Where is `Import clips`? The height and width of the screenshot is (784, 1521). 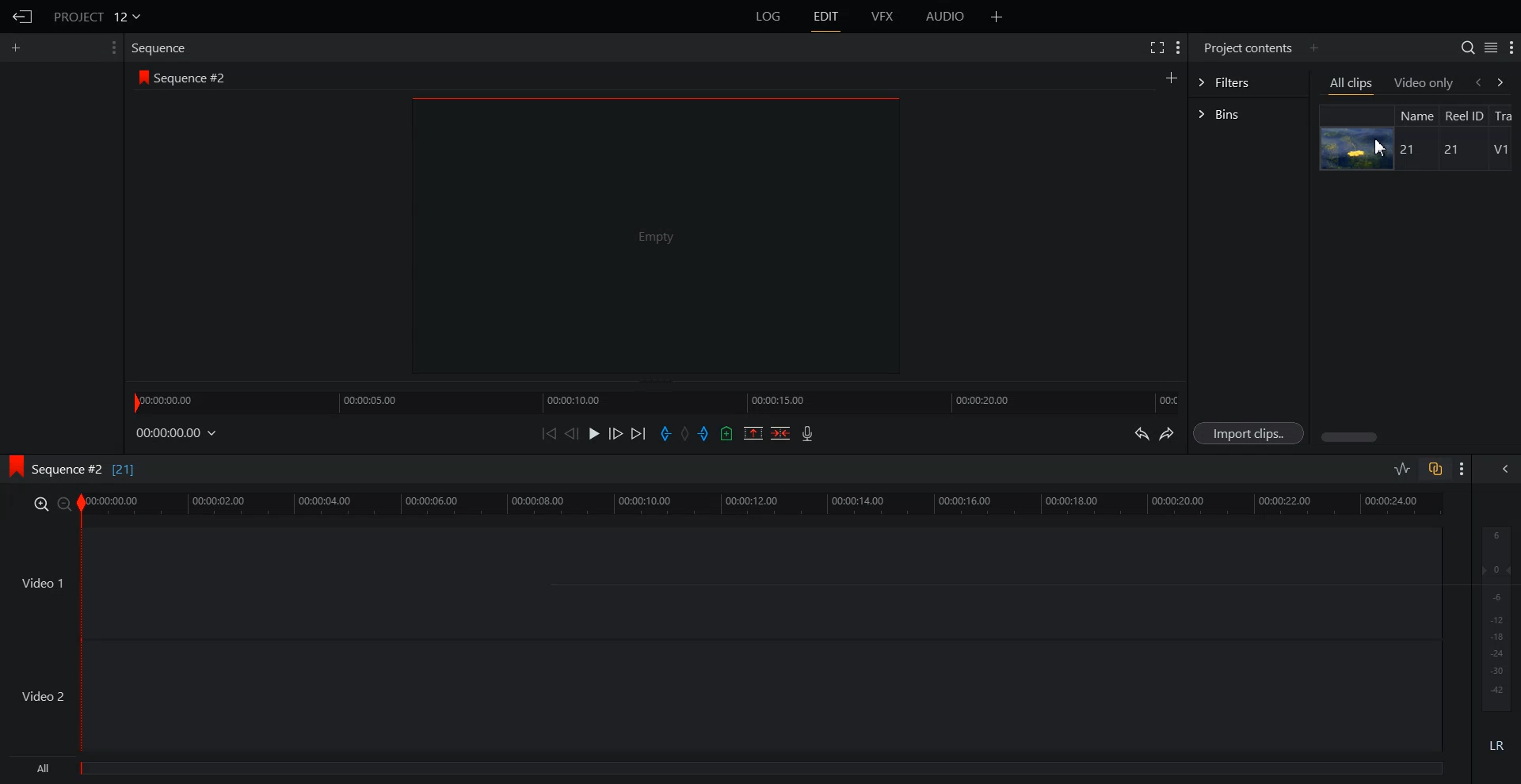
Import clips is located at coordinates (1248, 432).